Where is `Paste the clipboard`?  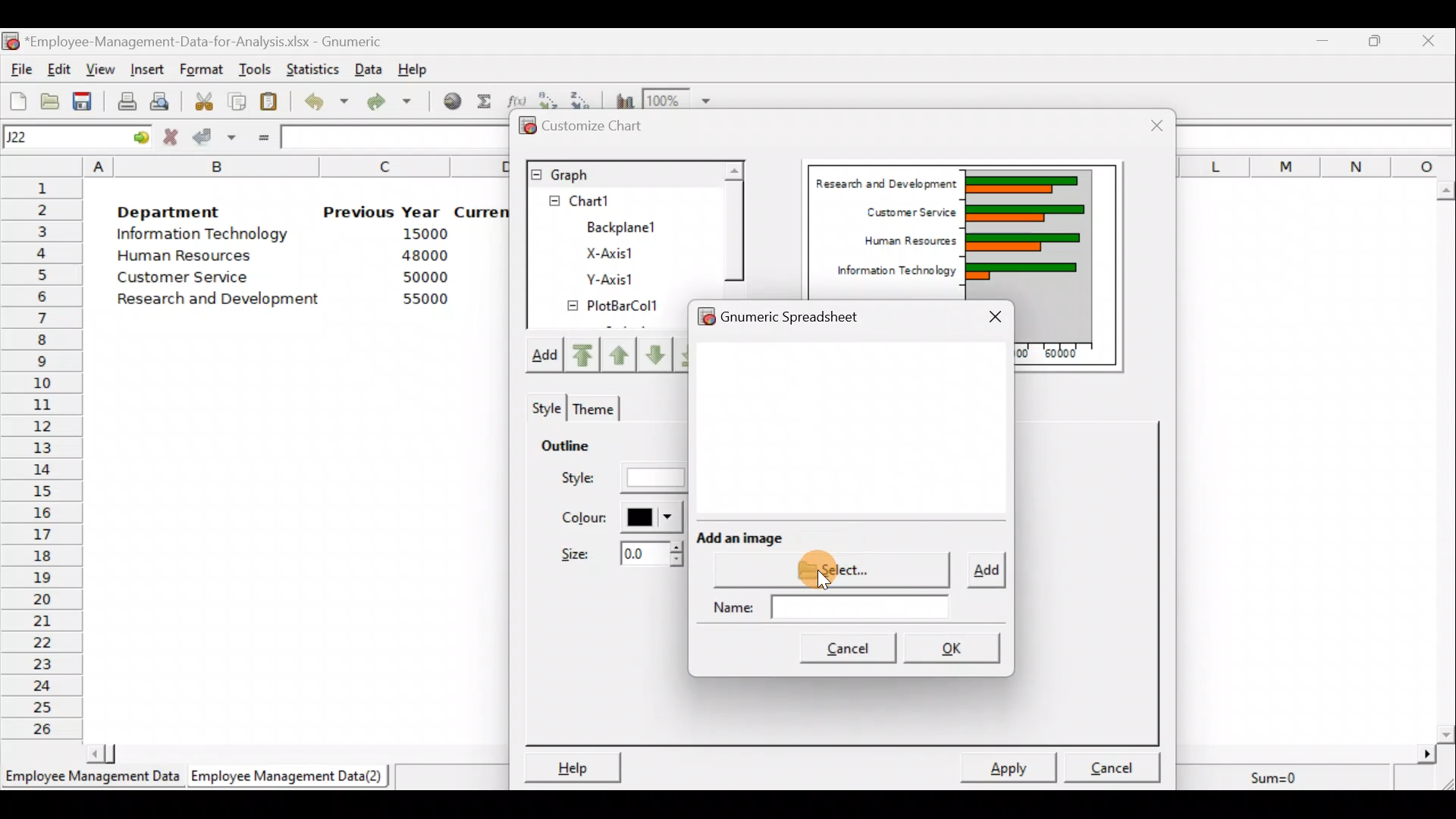 Paste the clipboard is located at coordinates (273, 103).